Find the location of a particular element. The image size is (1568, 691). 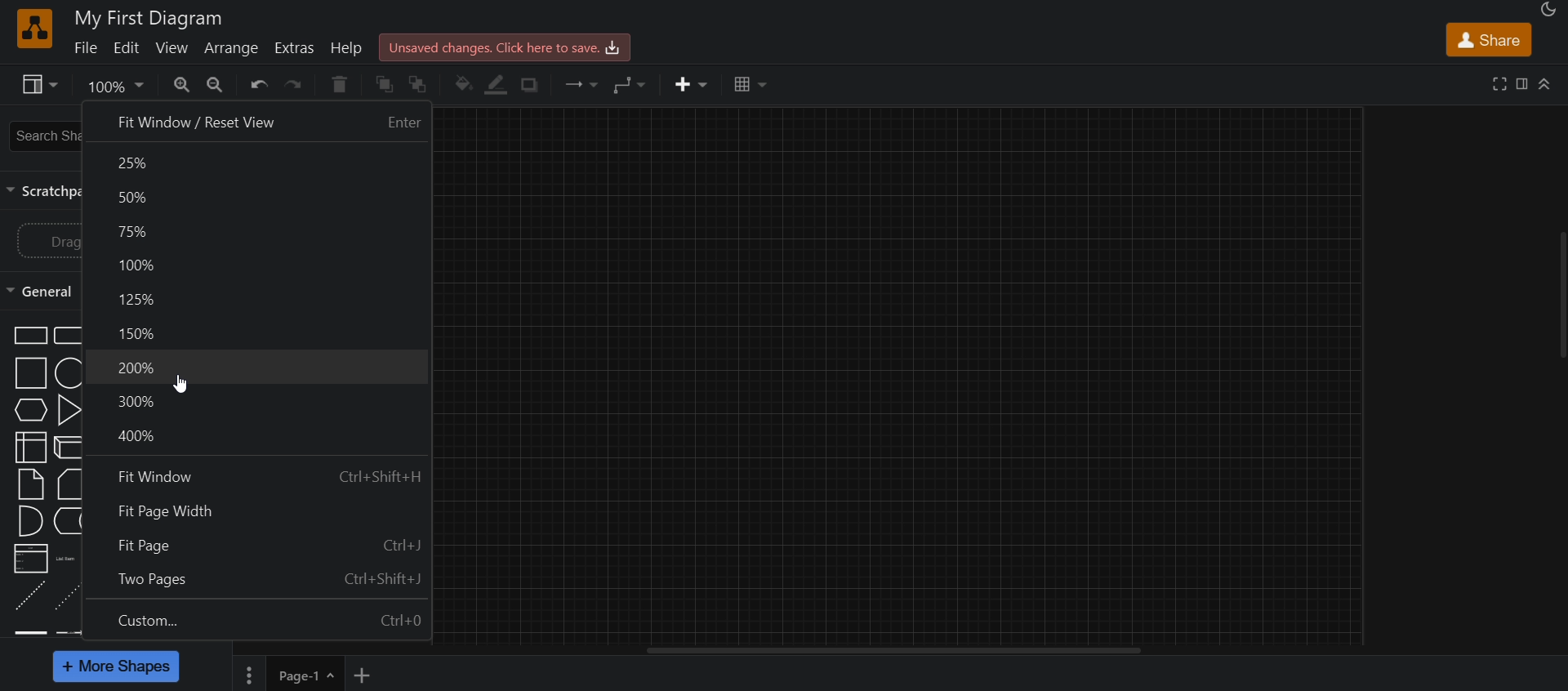

undo is located at coordinates (261, 86).